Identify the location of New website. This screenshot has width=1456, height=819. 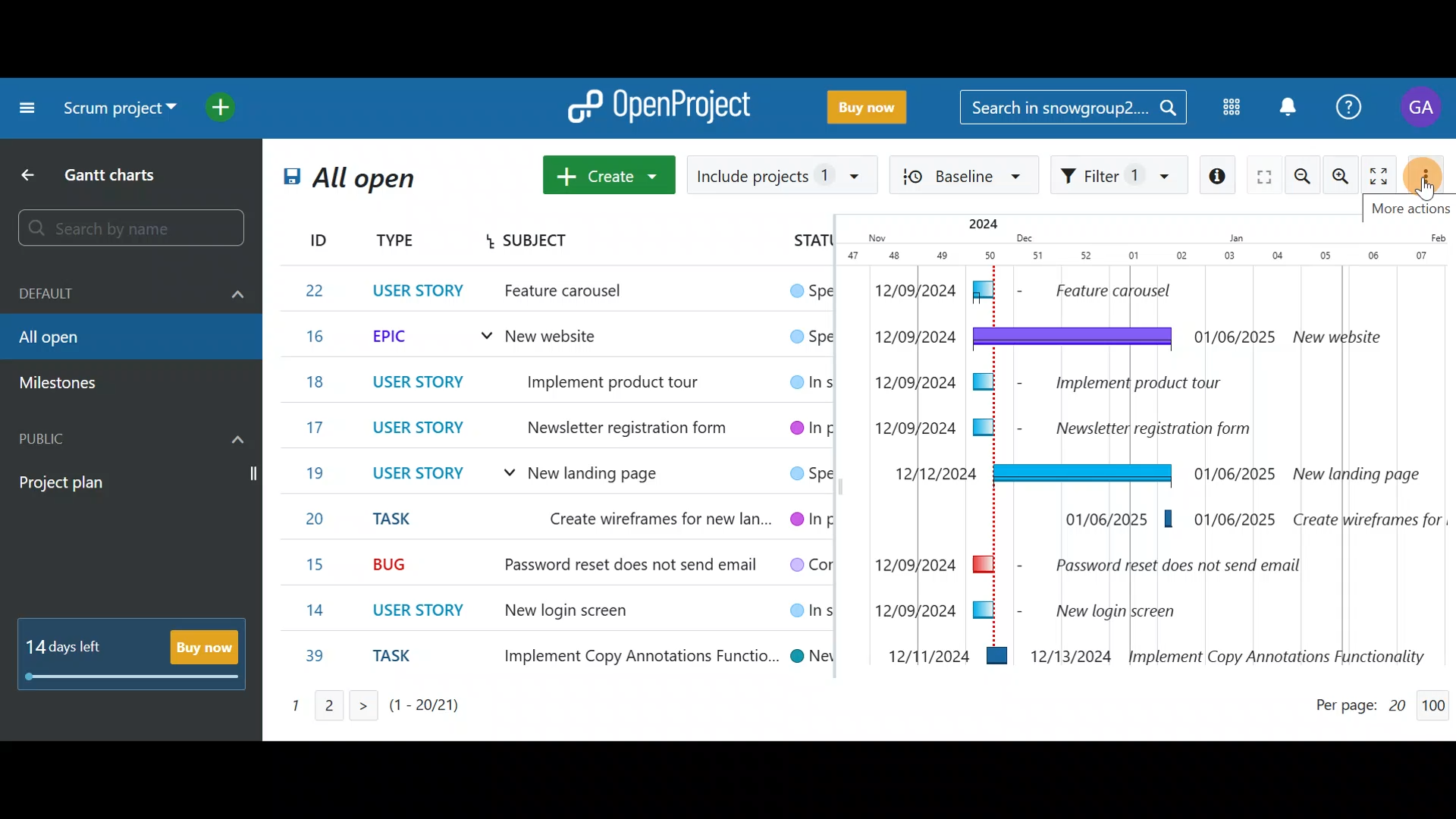
(551, 339).